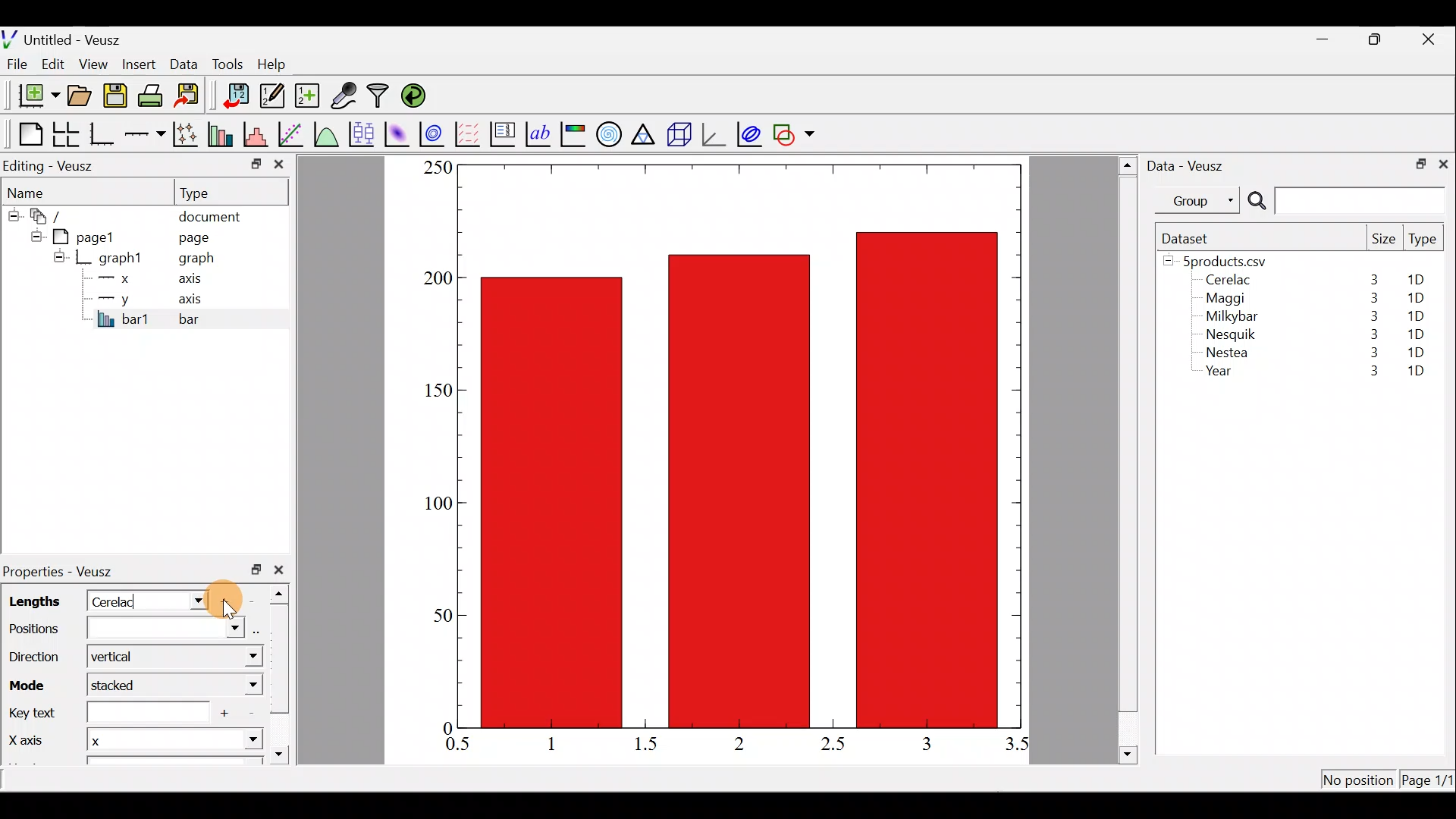  Describe the element at coordinates (1228, 353) in the screenshot. I see `Nestea` at that location.